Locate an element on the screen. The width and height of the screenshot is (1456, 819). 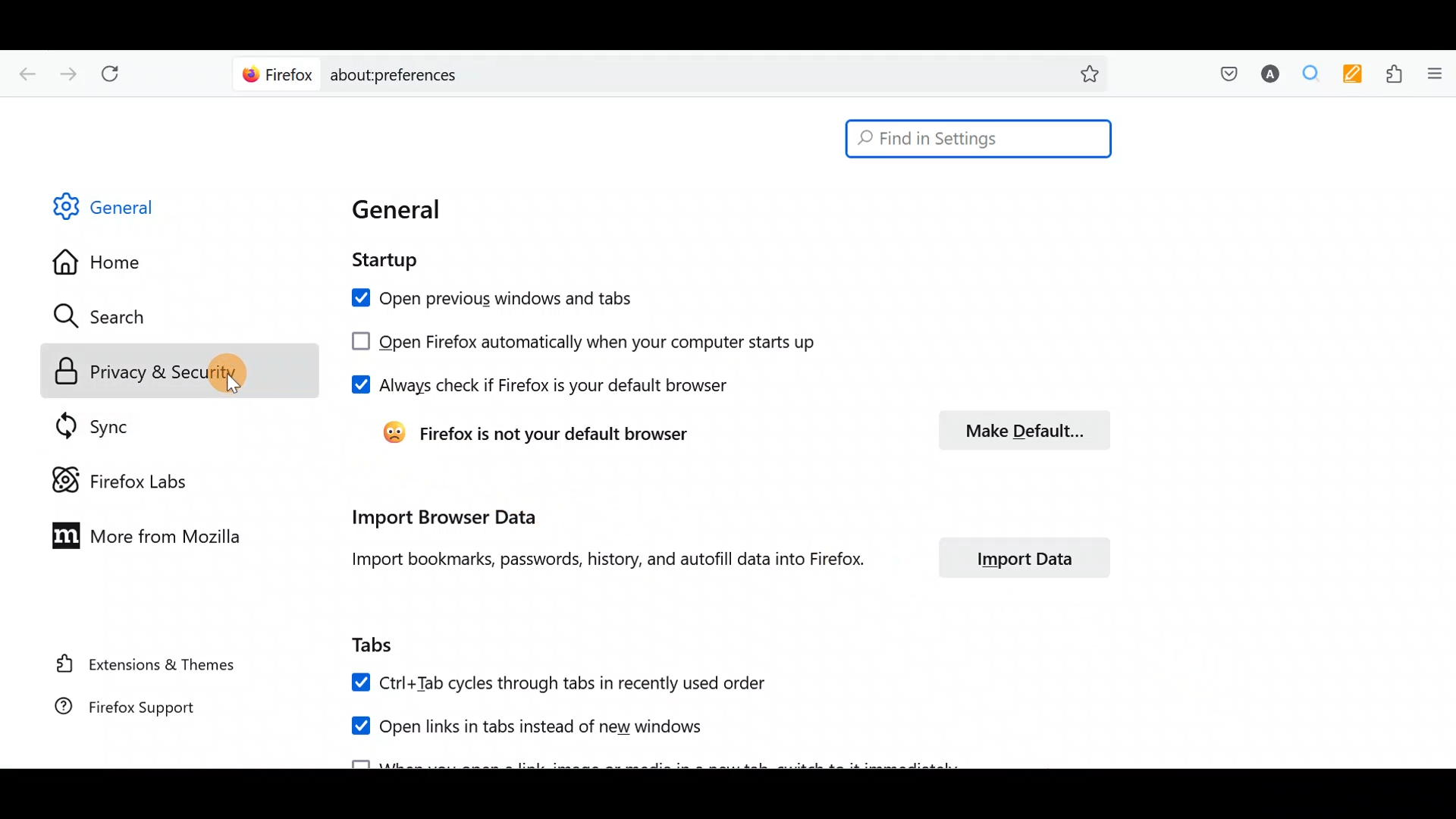
Import bookmarks, passwords, history, and autofill data into Firefox is located at coordinates (613, 561).